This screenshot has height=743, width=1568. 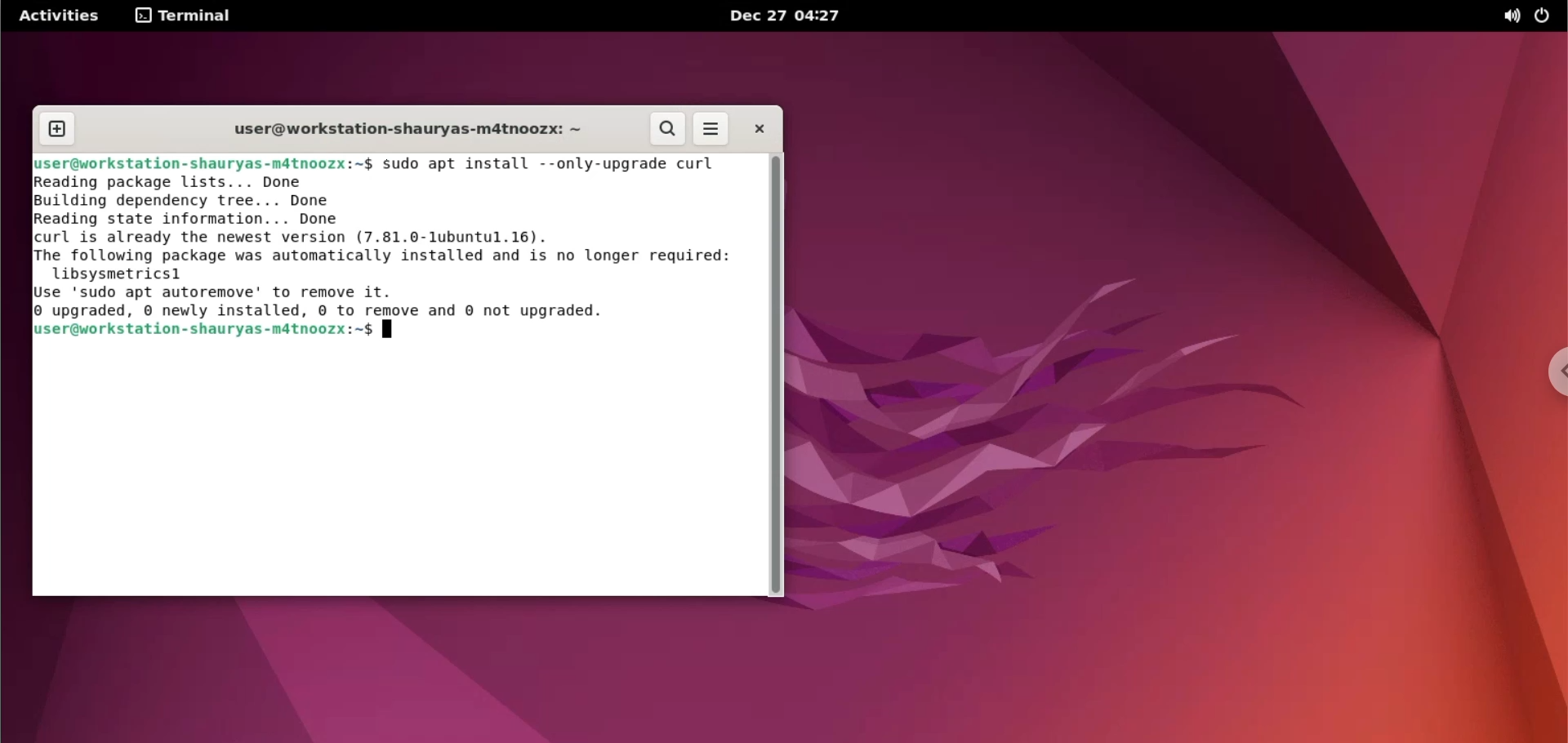 I want to click on Dec 27 04:27, so click(x=791, y=17).